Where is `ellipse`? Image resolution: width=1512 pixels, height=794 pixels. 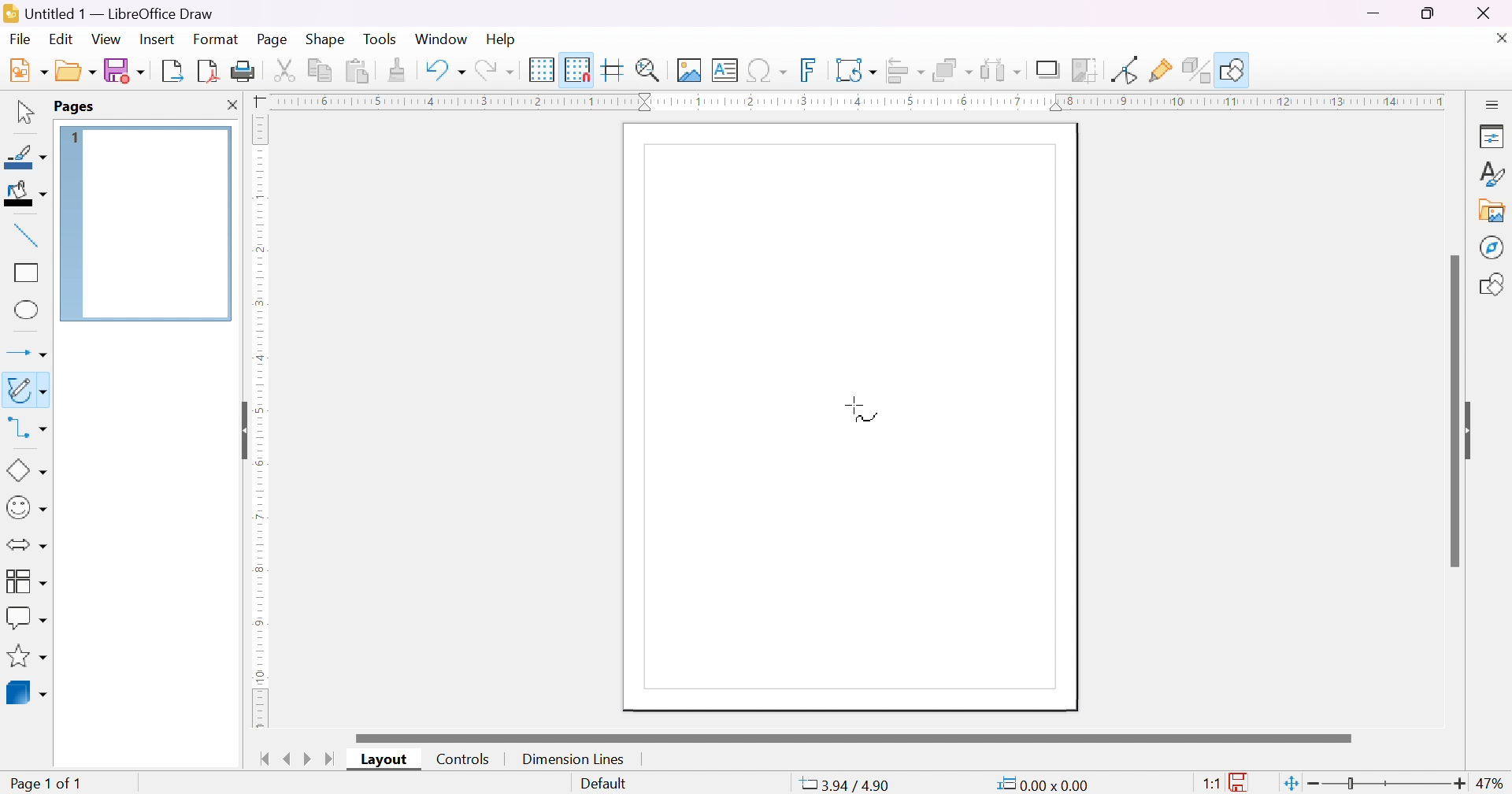
ellipse is located at coordinates (28, 308).